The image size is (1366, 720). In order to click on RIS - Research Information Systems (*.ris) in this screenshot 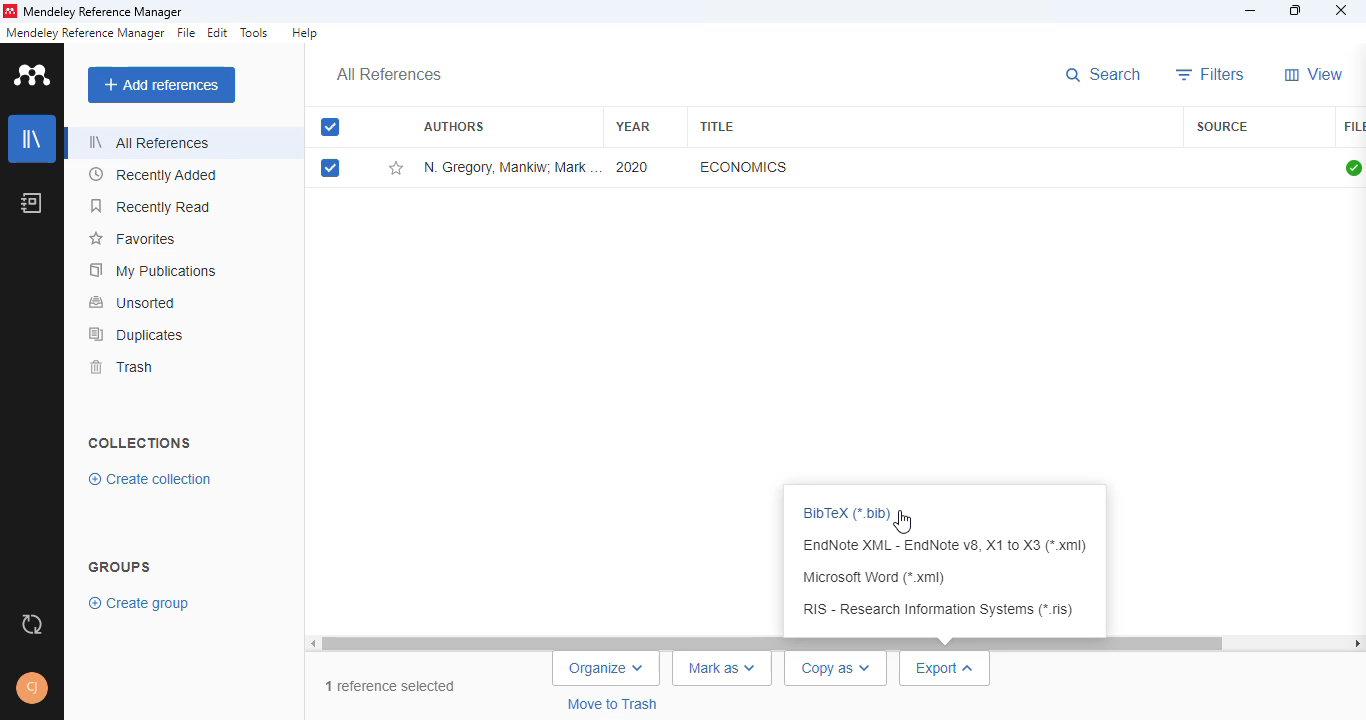, I will do `click(938, 609)`.